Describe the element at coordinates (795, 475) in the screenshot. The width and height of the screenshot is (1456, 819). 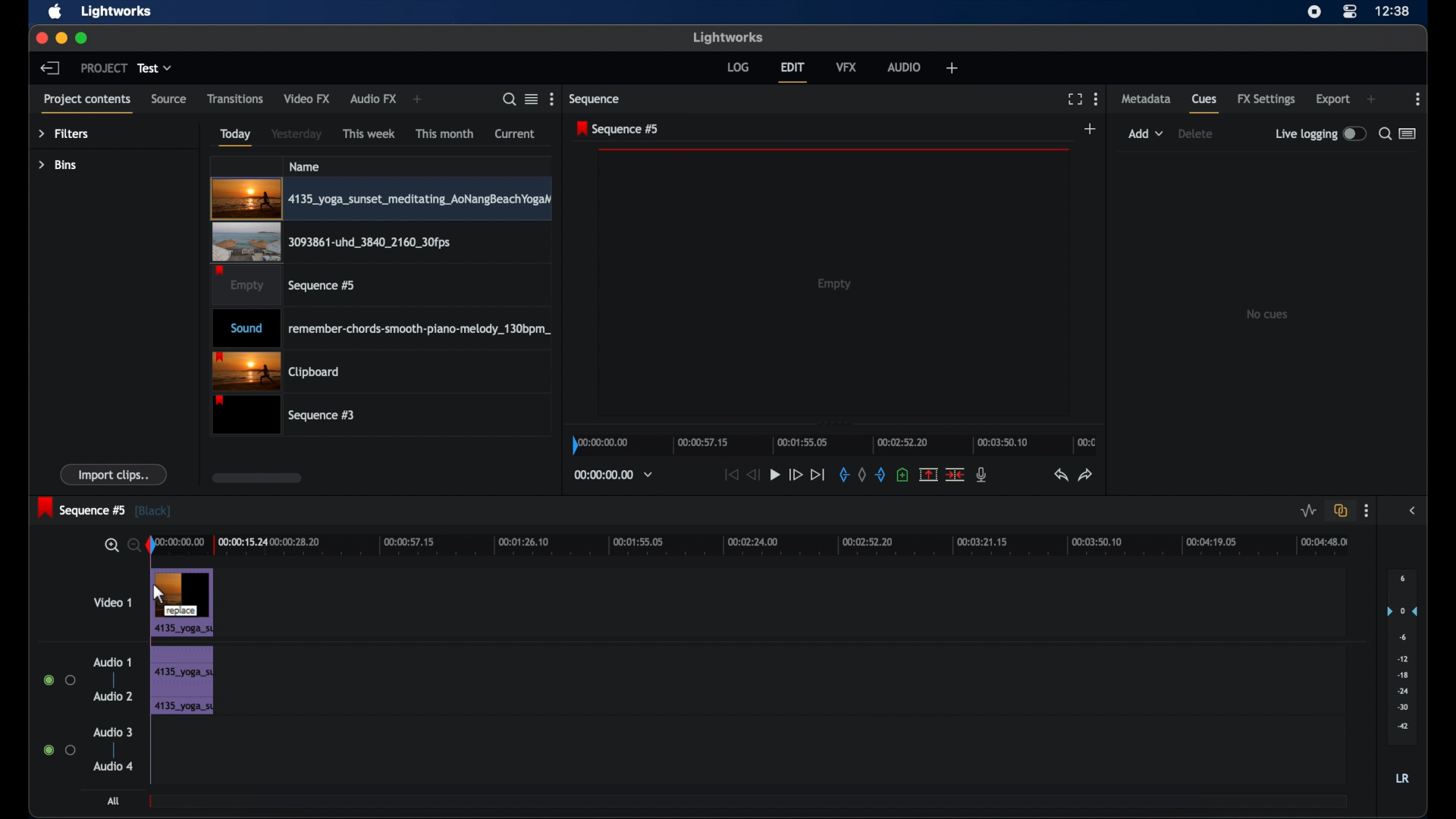
I see `fast forward` at that location.